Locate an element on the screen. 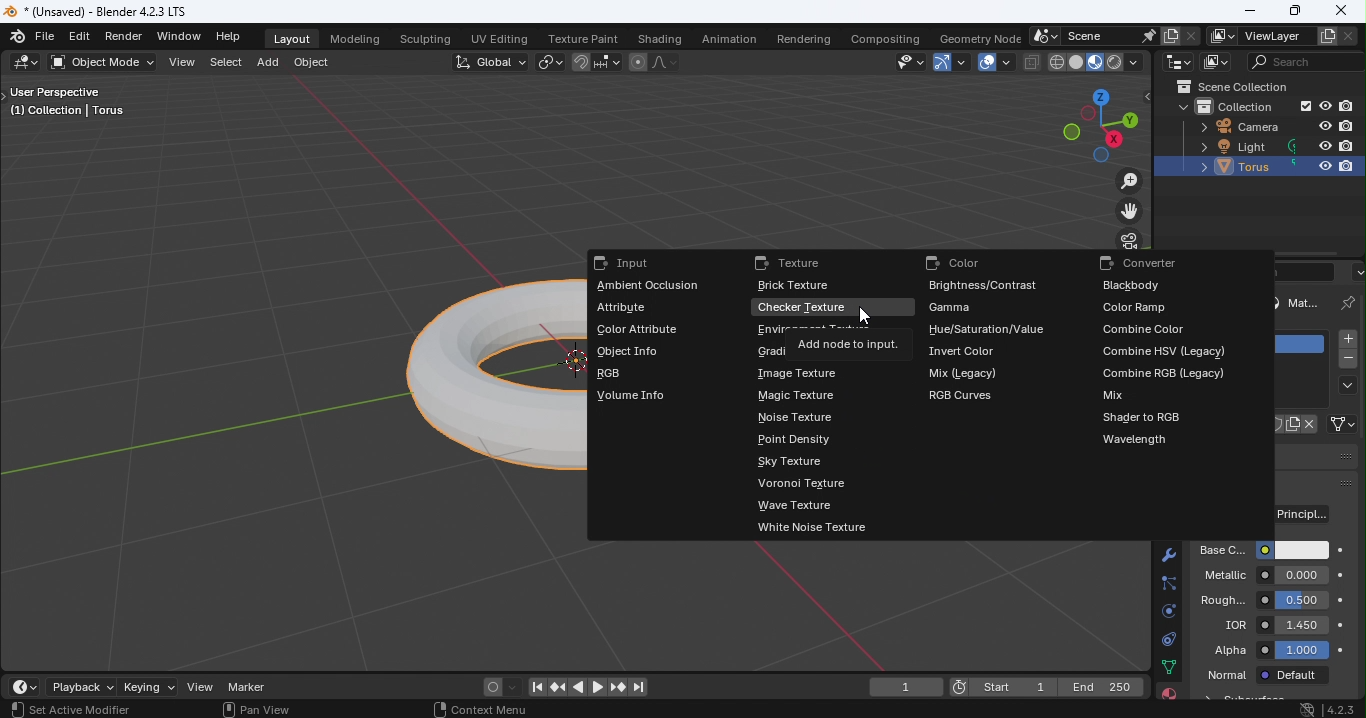 The image size is (1366, 718). Brick texture is located at coordinates (794, 286).